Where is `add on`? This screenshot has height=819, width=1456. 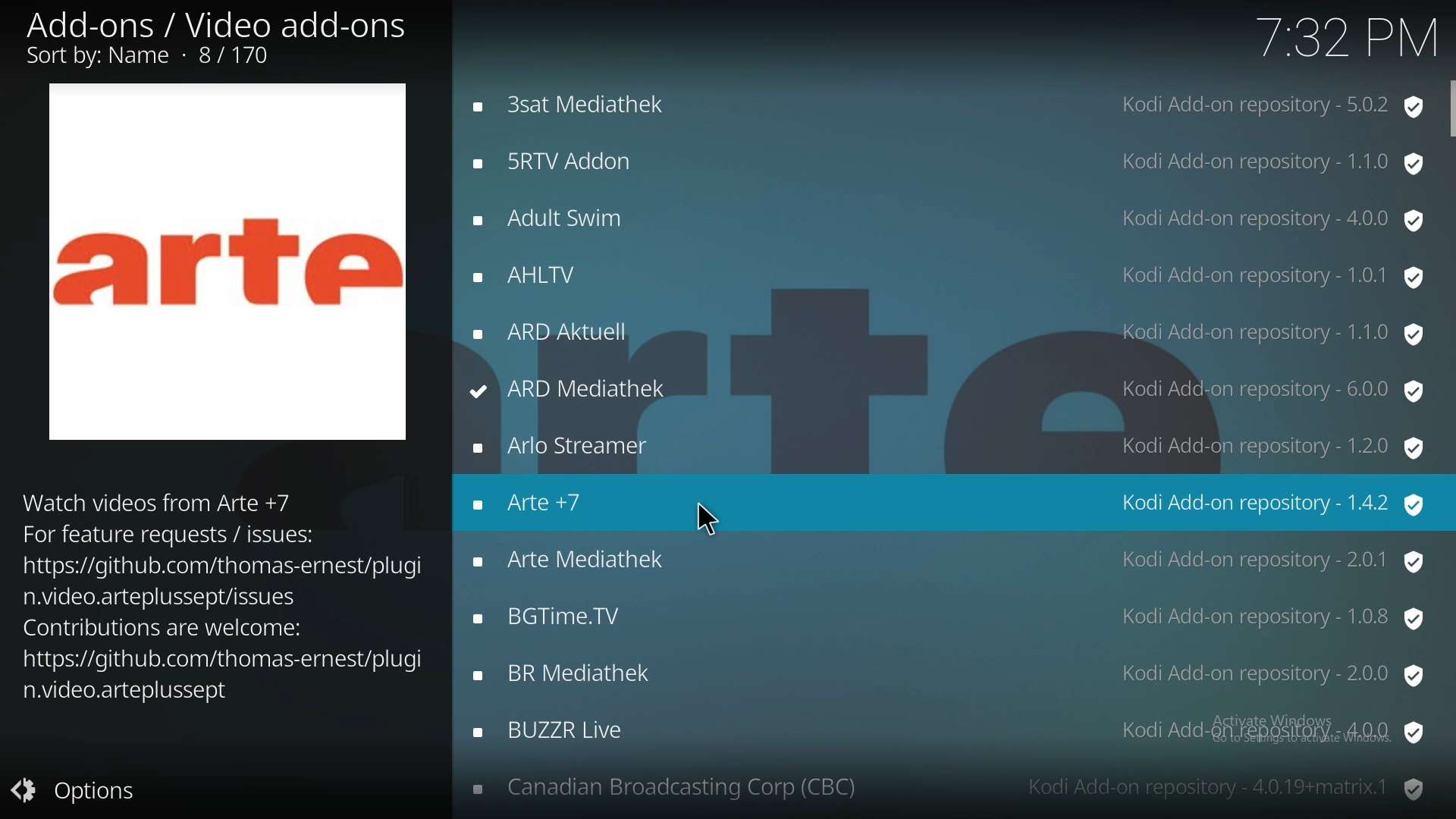
add on is located at coordinates (947, 444).